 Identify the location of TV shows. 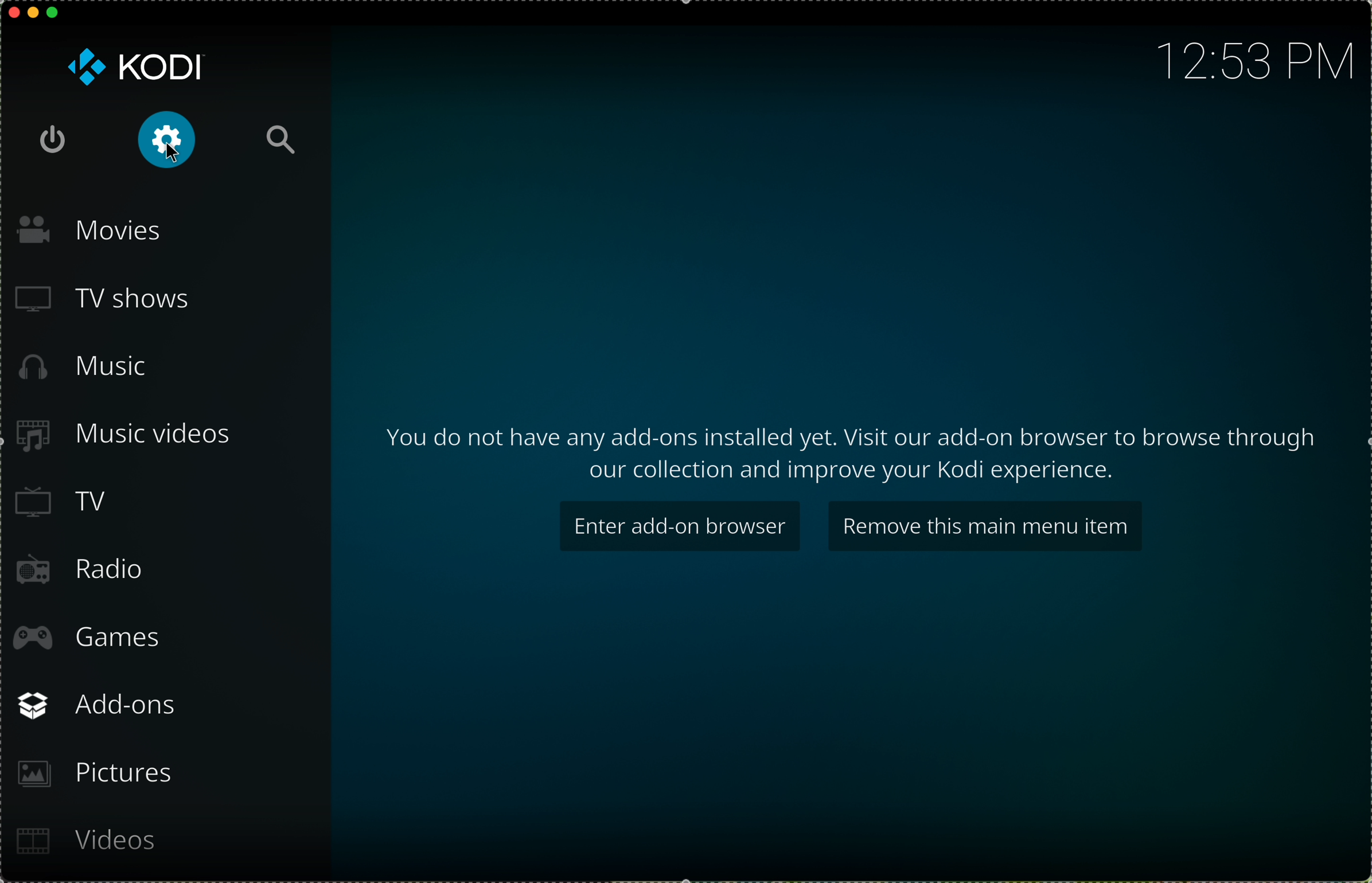
(113, 294).